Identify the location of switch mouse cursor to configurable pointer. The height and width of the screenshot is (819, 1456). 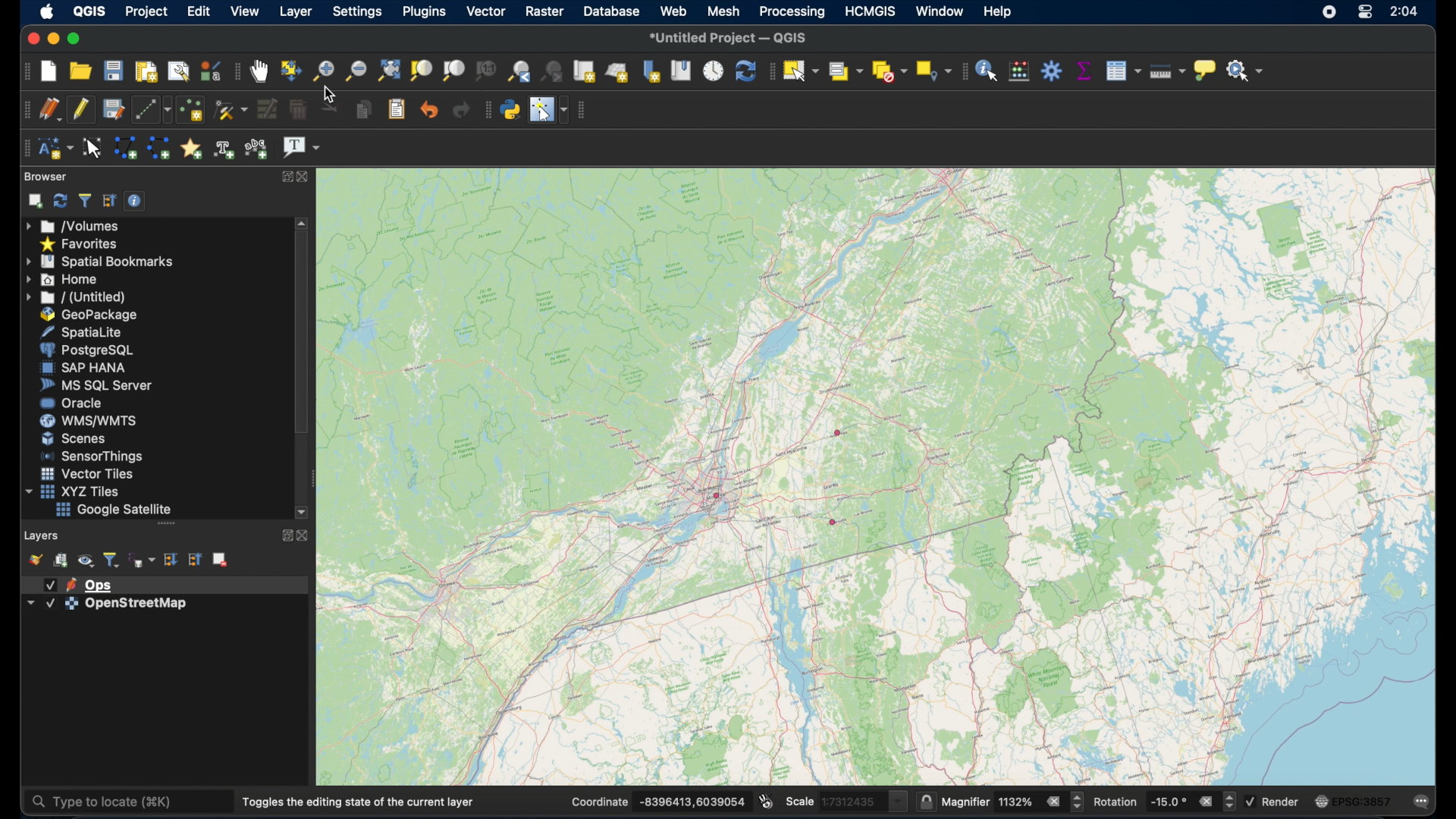
(548, 108).